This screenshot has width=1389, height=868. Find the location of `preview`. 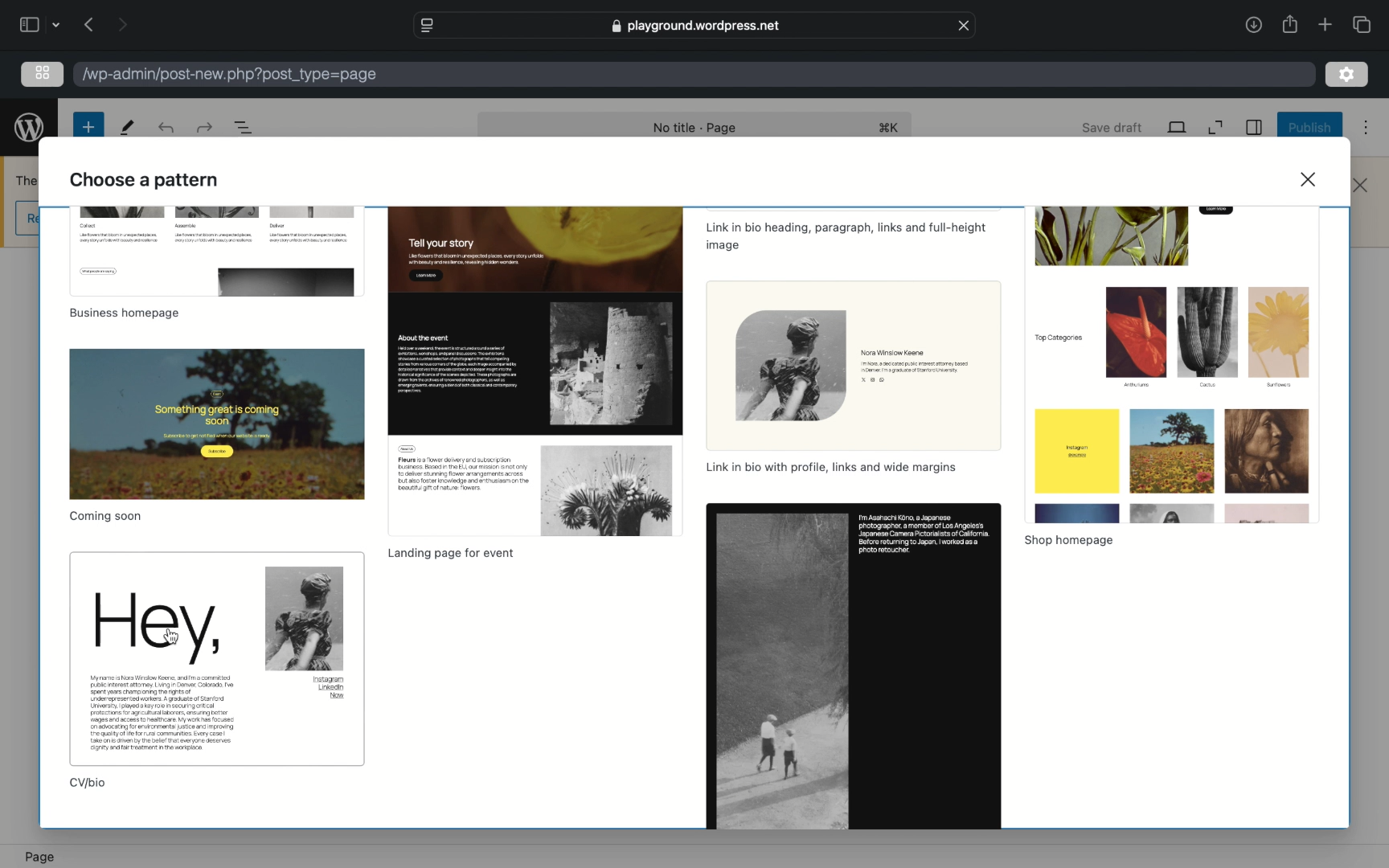

preview is located at coordinates (217, 658).